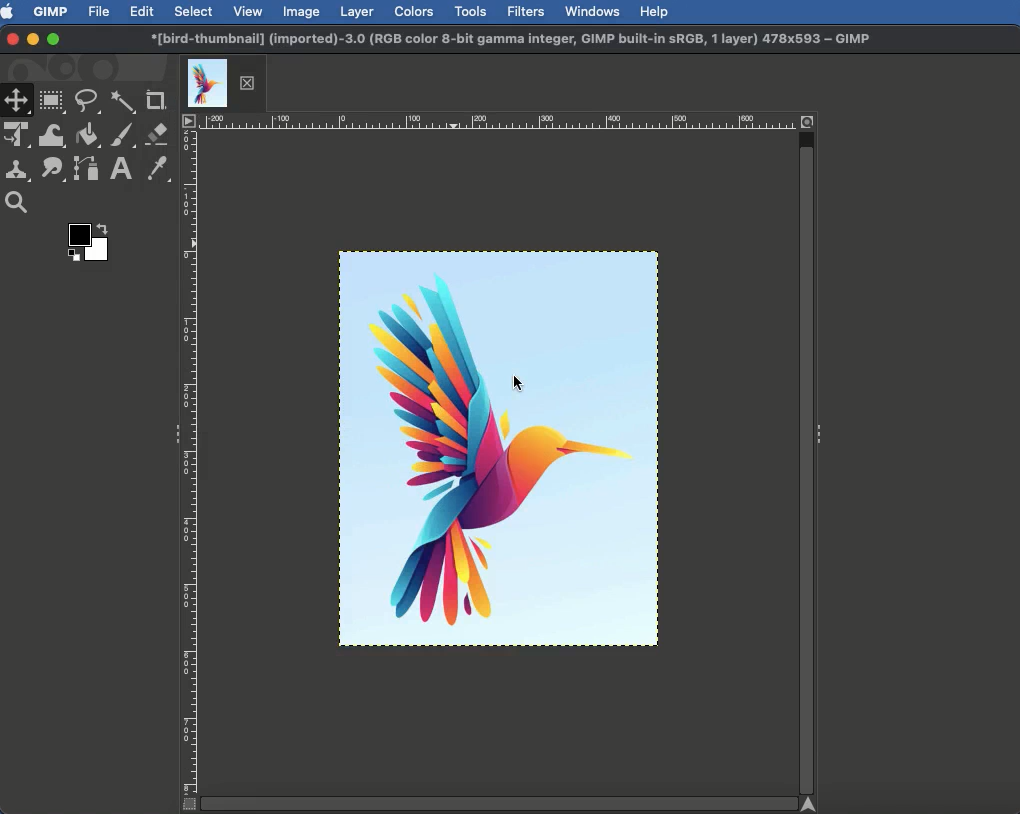 This screenshot has width=1020, height=814. Describe the element at coordinates (656, 12) in the screenshot. I see `Help` at that location.